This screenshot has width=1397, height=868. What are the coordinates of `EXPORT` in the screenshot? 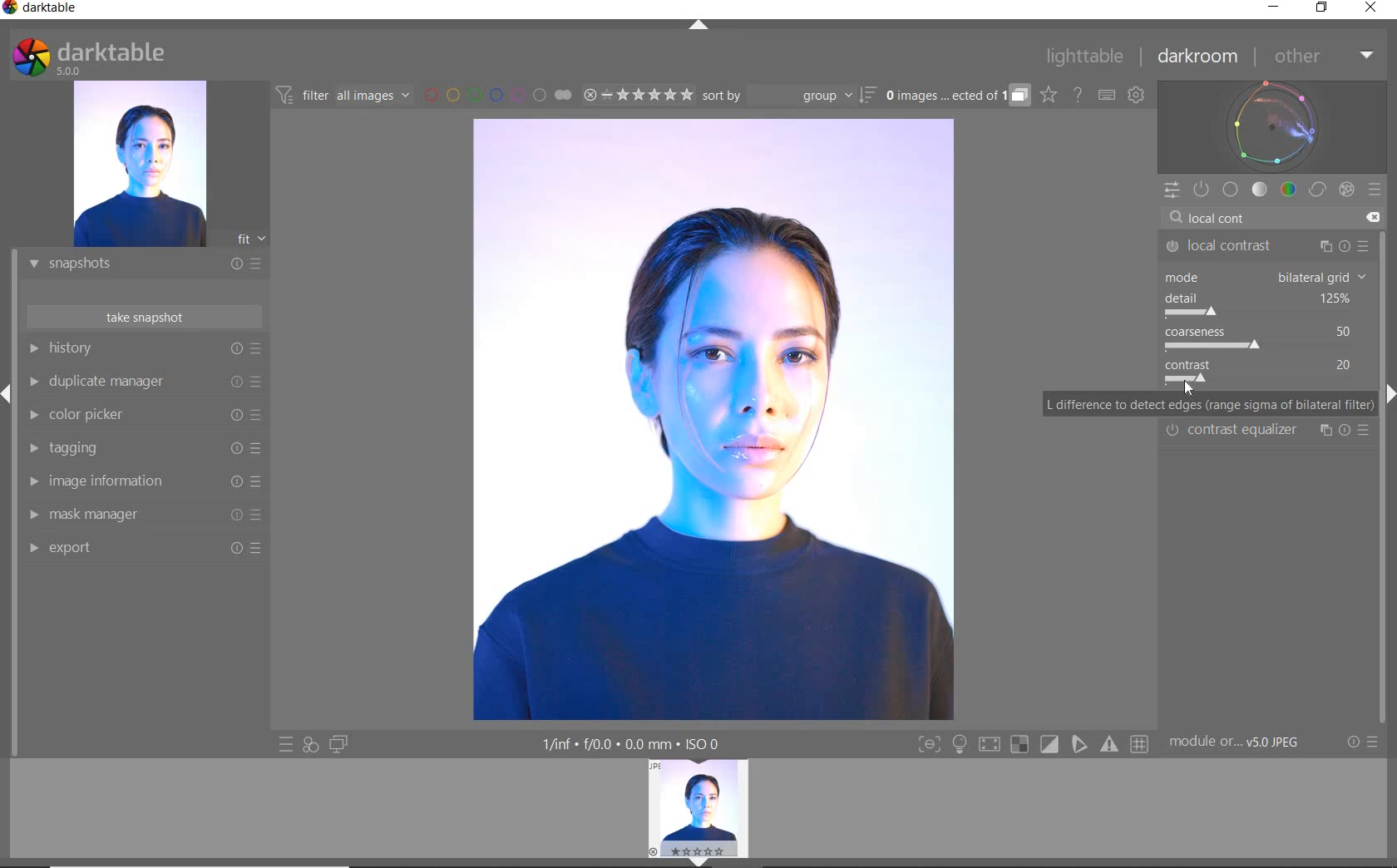 It's located at (139, 547).